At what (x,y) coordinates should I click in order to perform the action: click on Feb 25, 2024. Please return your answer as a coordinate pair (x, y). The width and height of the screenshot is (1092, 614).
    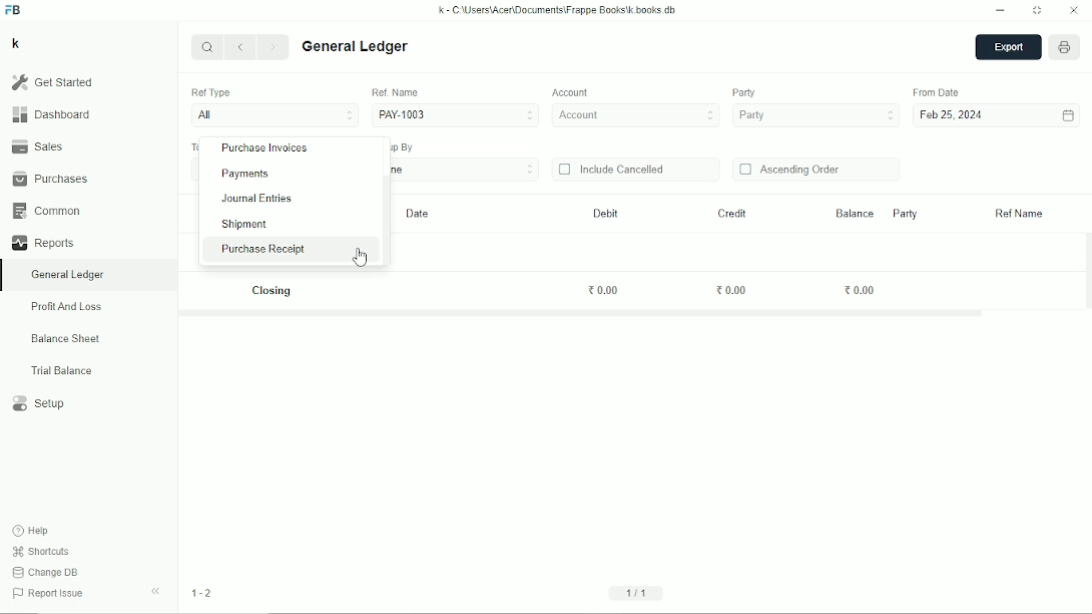
    Looking at the image, I should click on (953, 116).